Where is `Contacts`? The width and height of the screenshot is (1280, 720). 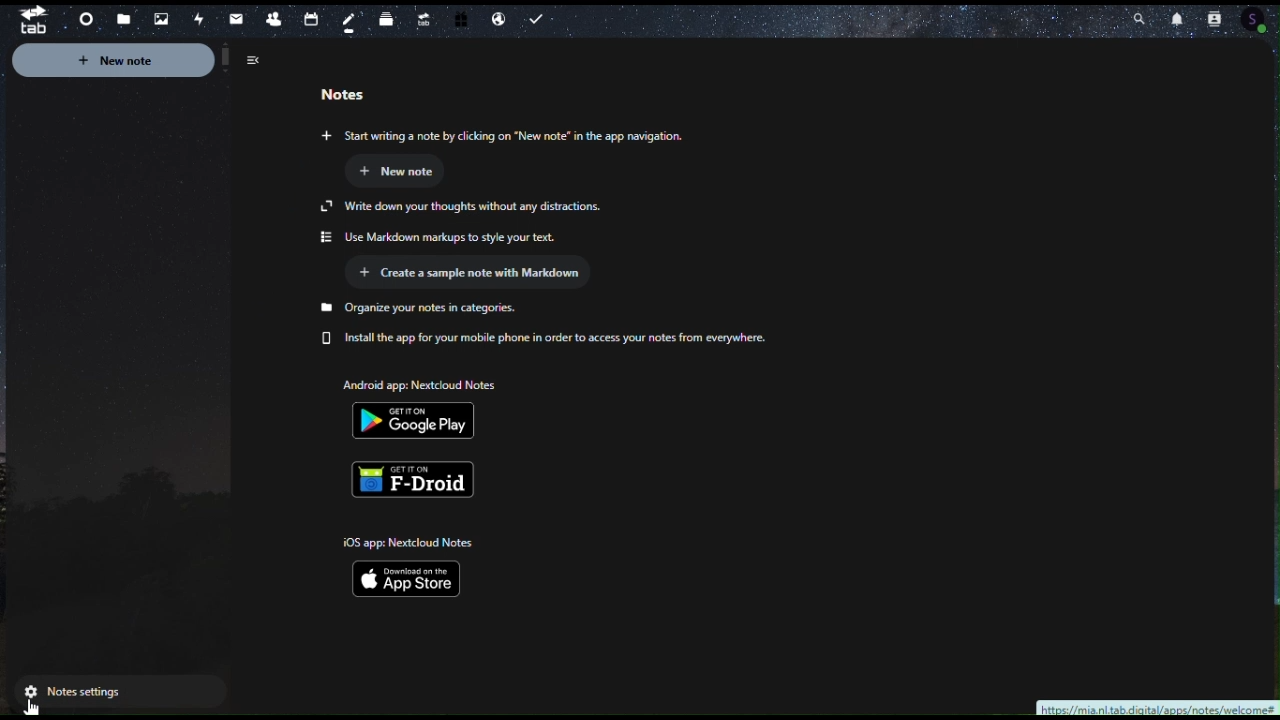 Contacts is located at coordinates (1223, 16).